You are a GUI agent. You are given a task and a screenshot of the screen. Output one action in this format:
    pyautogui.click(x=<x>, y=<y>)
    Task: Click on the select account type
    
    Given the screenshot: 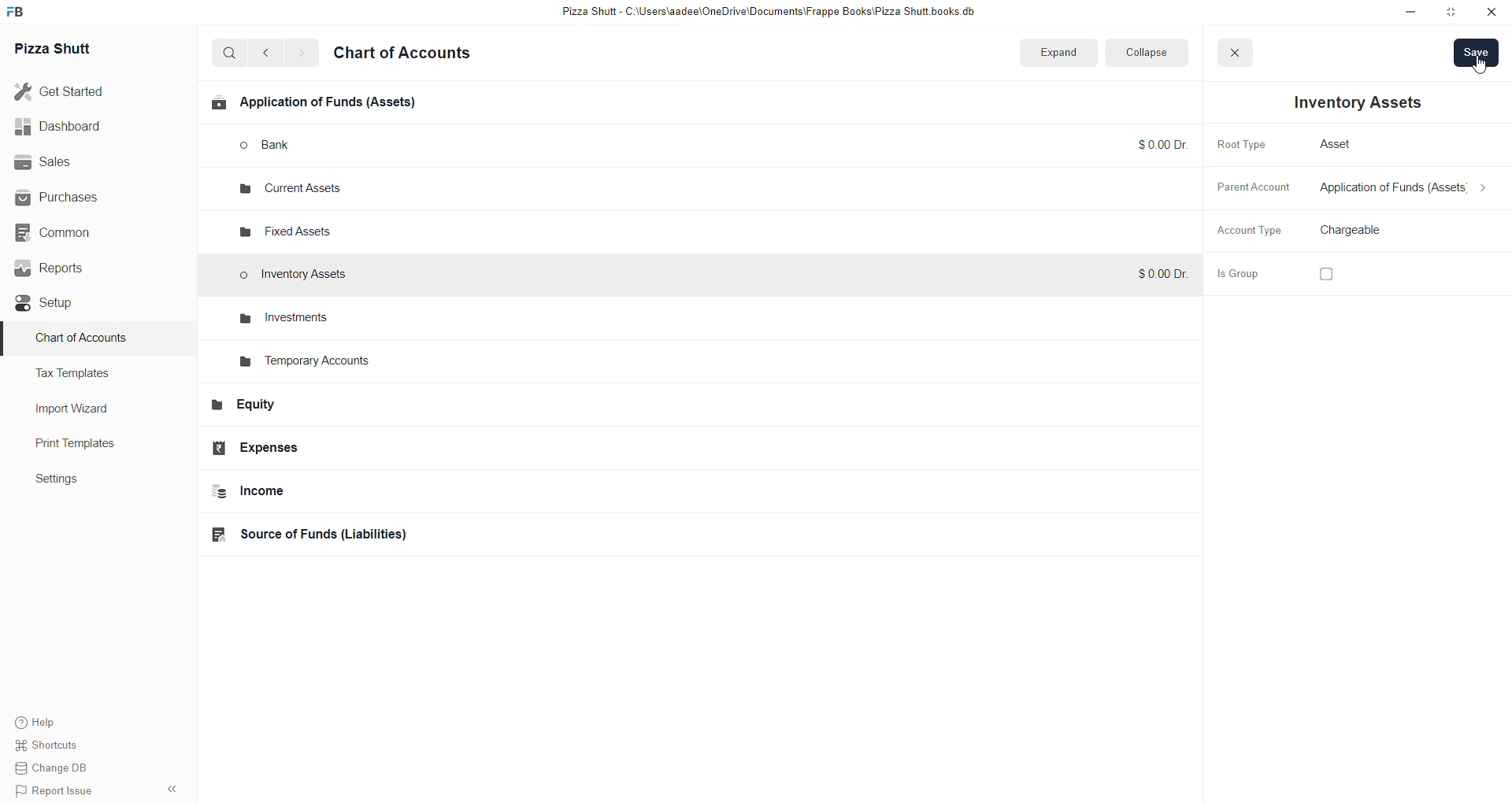 What is the action you would take?
    pyautogui.click(x=1364, y=231)
    